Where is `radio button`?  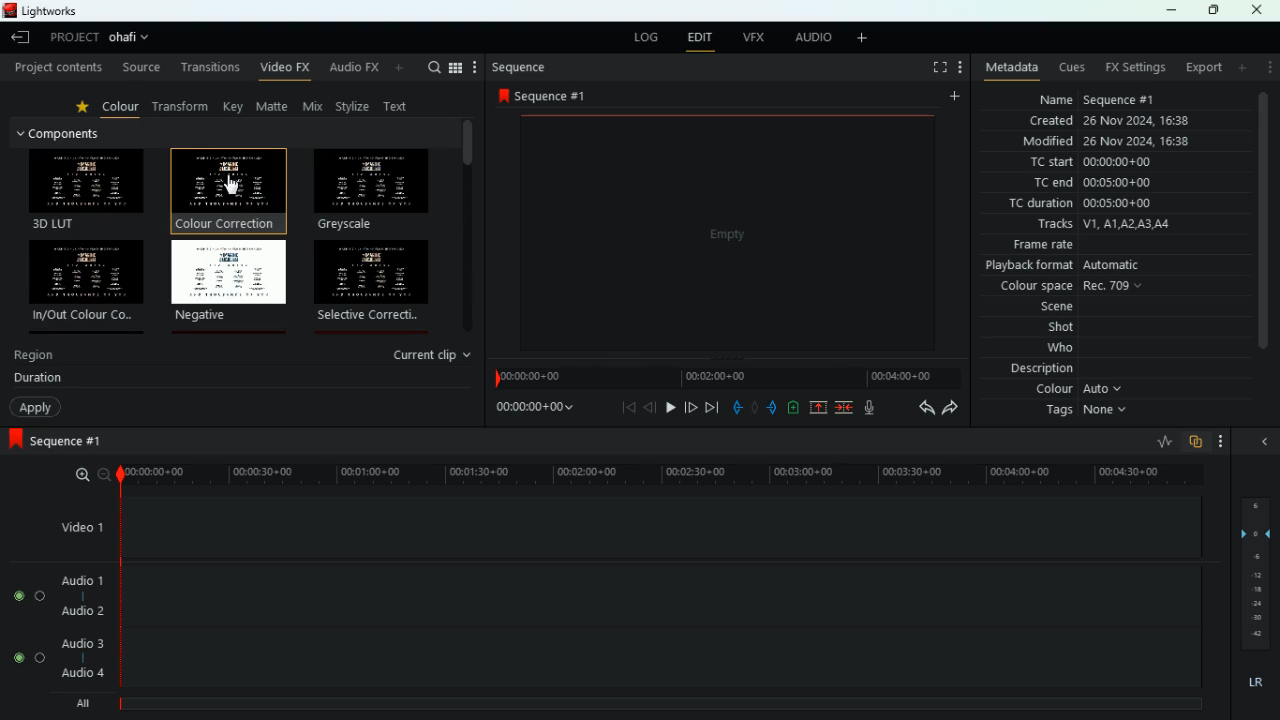
radio button is located at coordinates (27, 627).